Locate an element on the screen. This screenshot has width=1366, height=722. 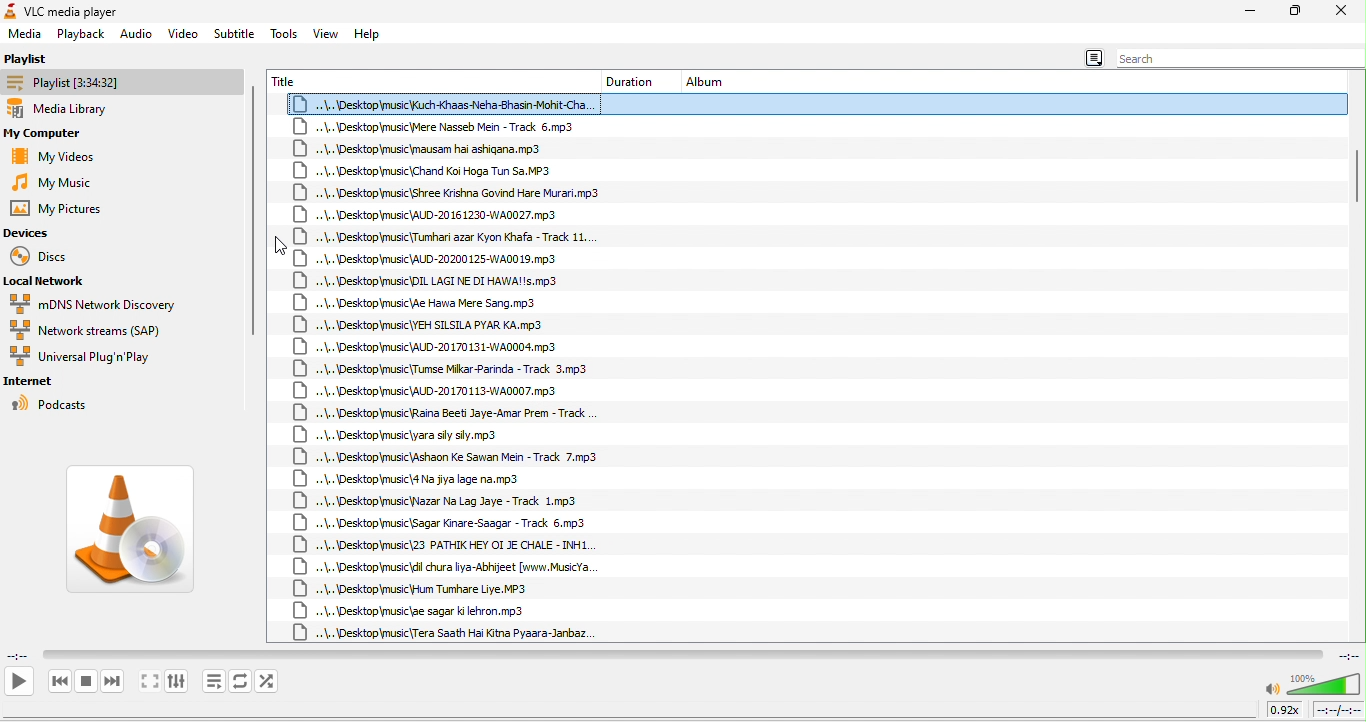
..\.\Desktop\music\Raina Beet Jaye-Amar Prem - Track is located at coordinates (443, 413).